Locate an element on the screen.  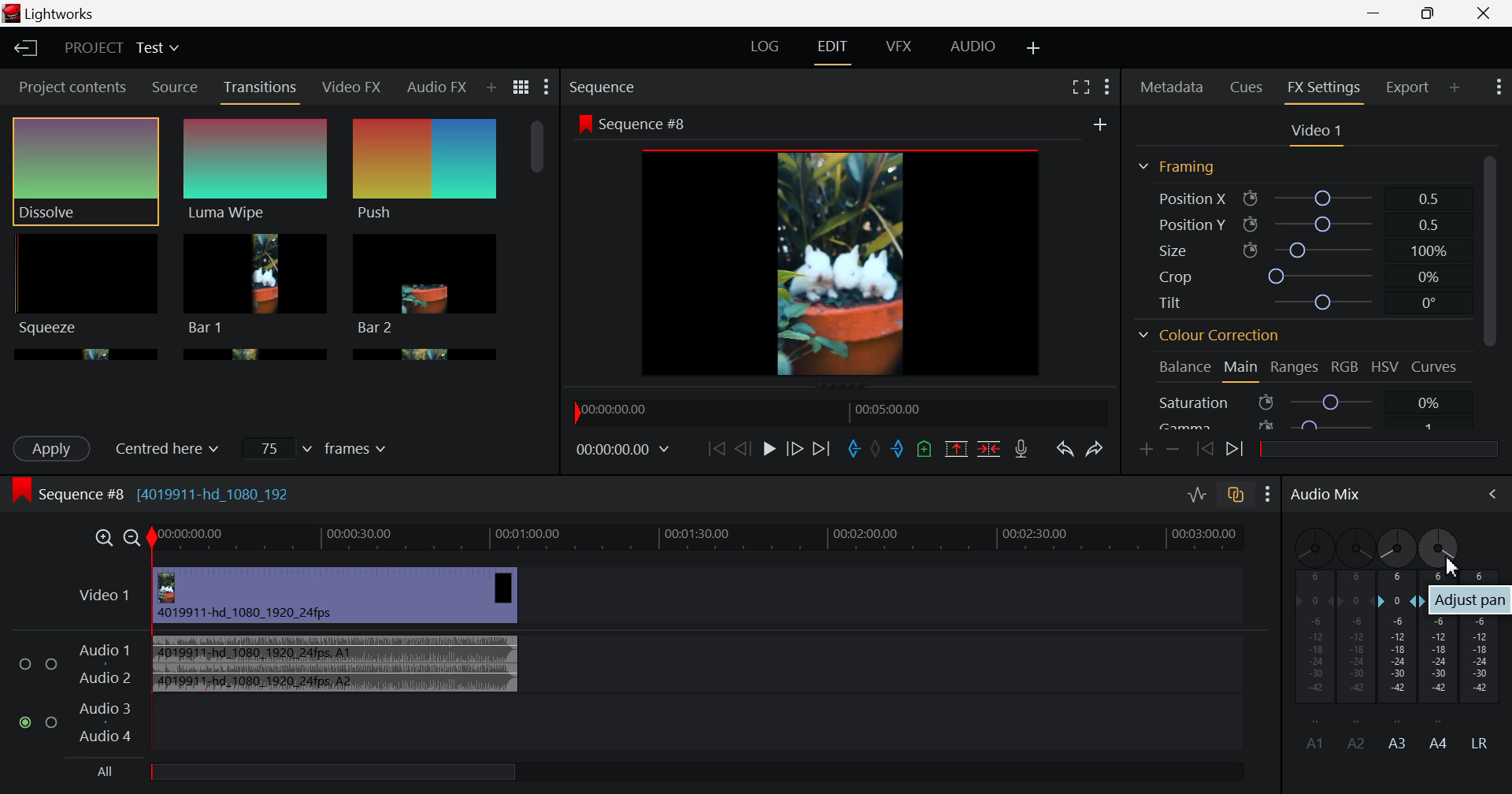
Scroll Bar is located at coordinates (537, 232).